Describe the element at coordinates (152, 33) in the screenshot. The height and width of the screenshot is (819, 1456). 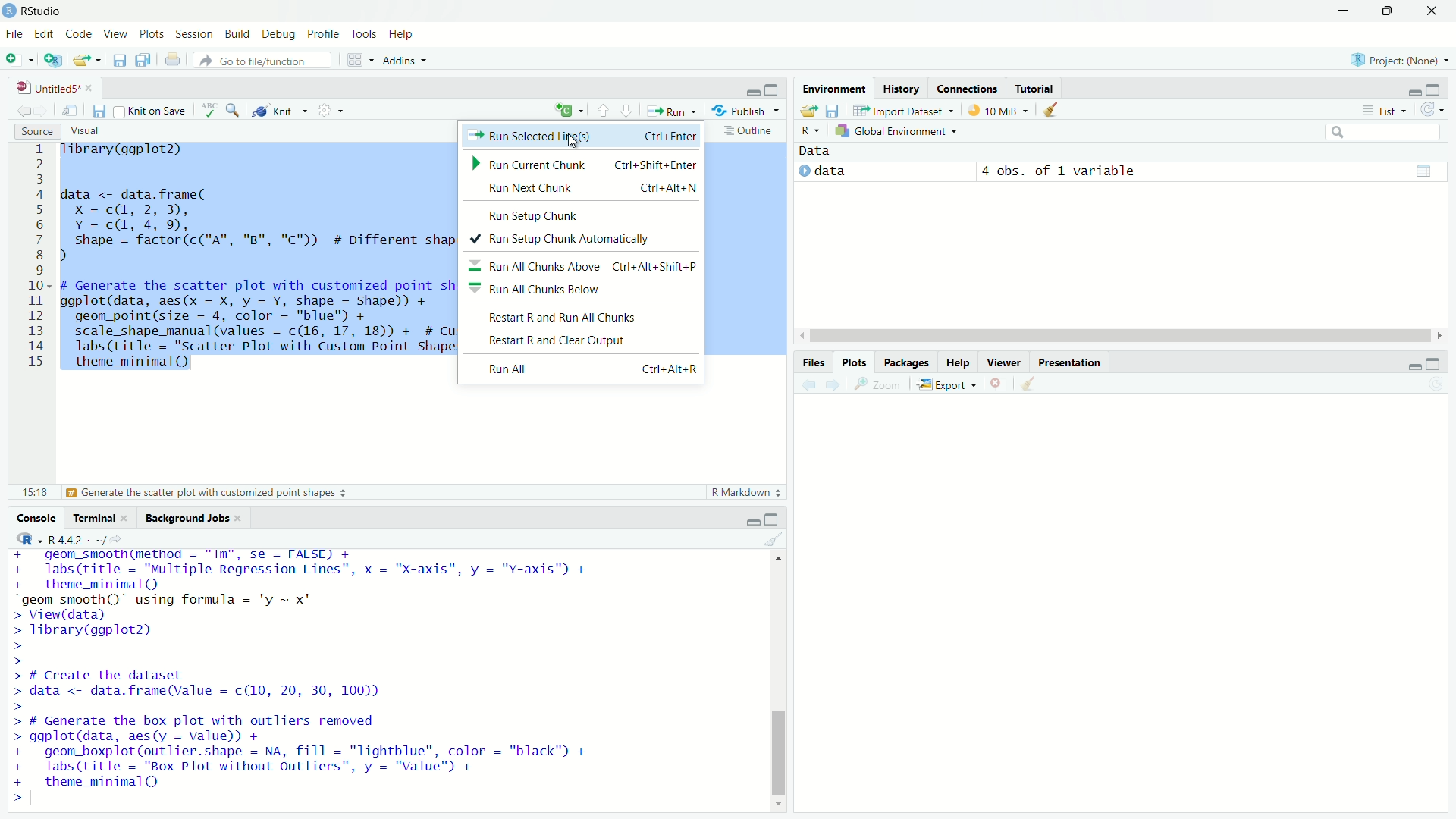
I see `Plots` at that location.